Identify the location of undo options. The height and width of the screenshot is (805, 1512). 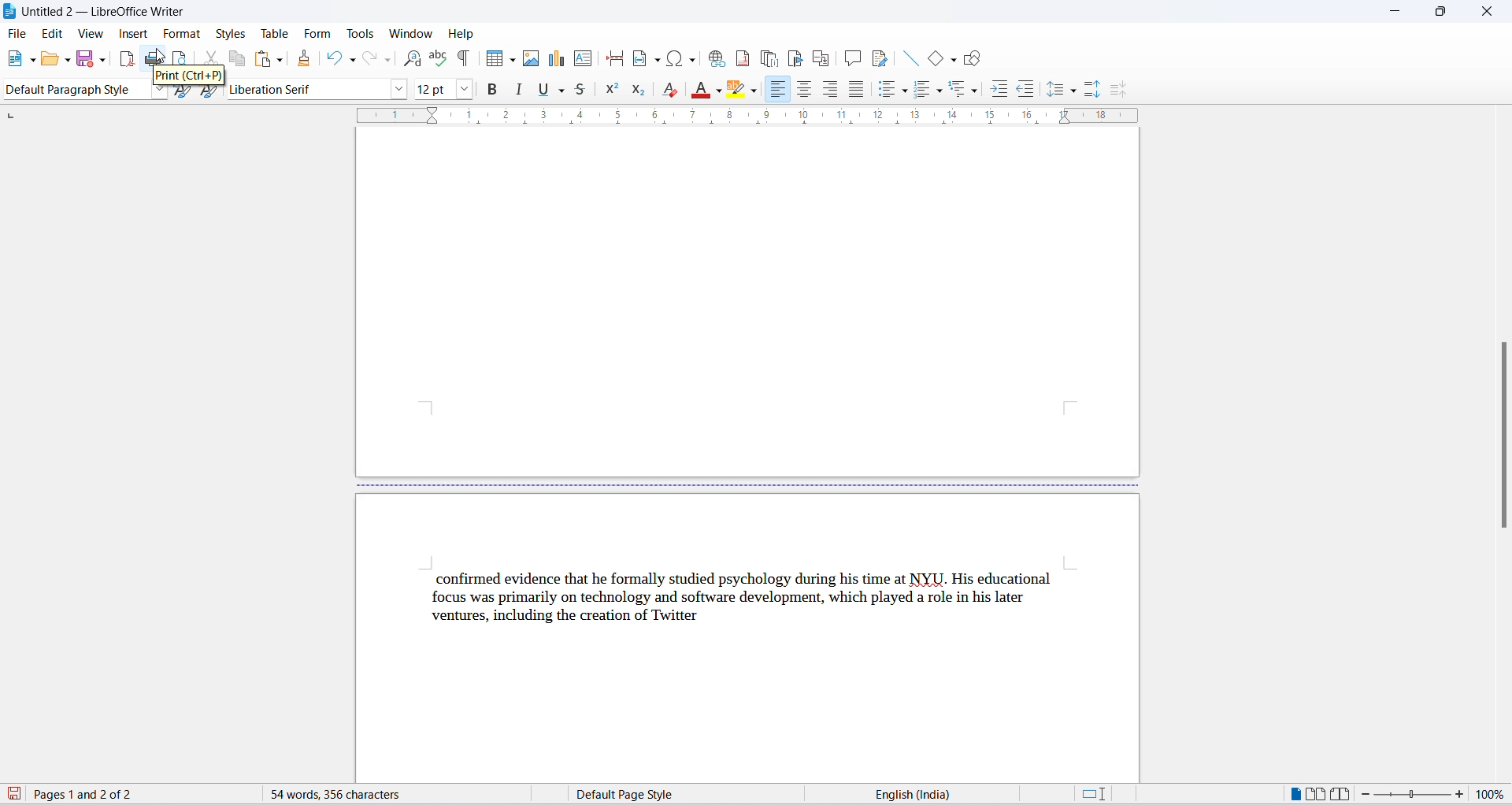
(354, 60).